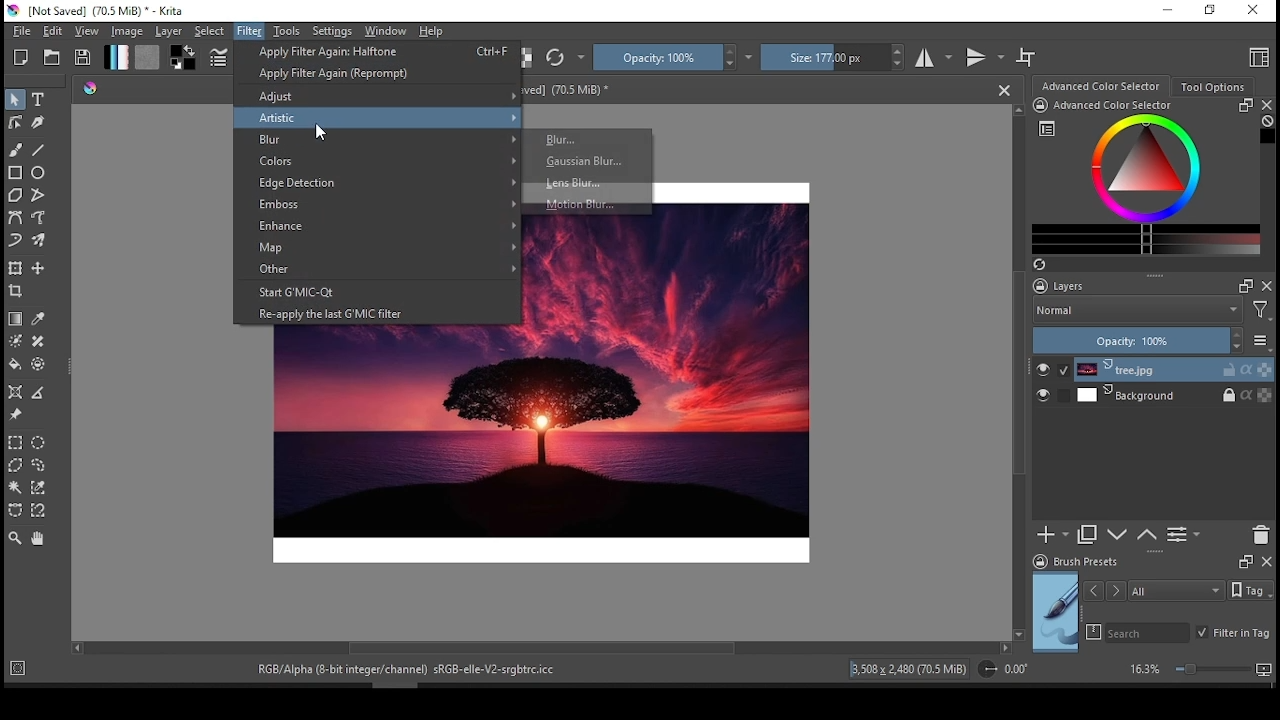 This screenshot has width=1280, height=720. I want to click on vertical mirror mode, so click(986, 57).